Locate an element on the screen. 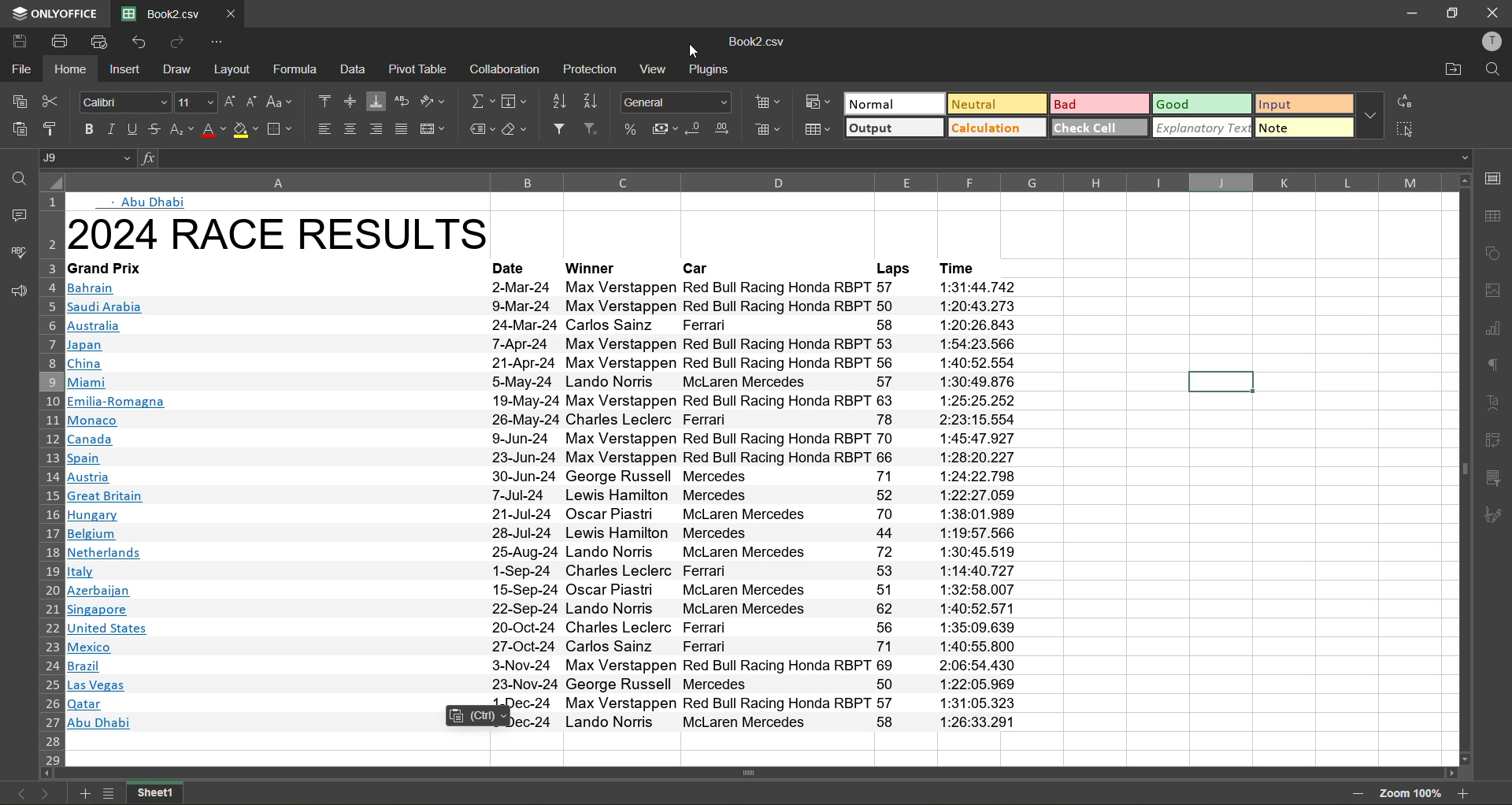 The height and width of the screenshot is (805, 1512). filter is located at coordinates (556, 129).